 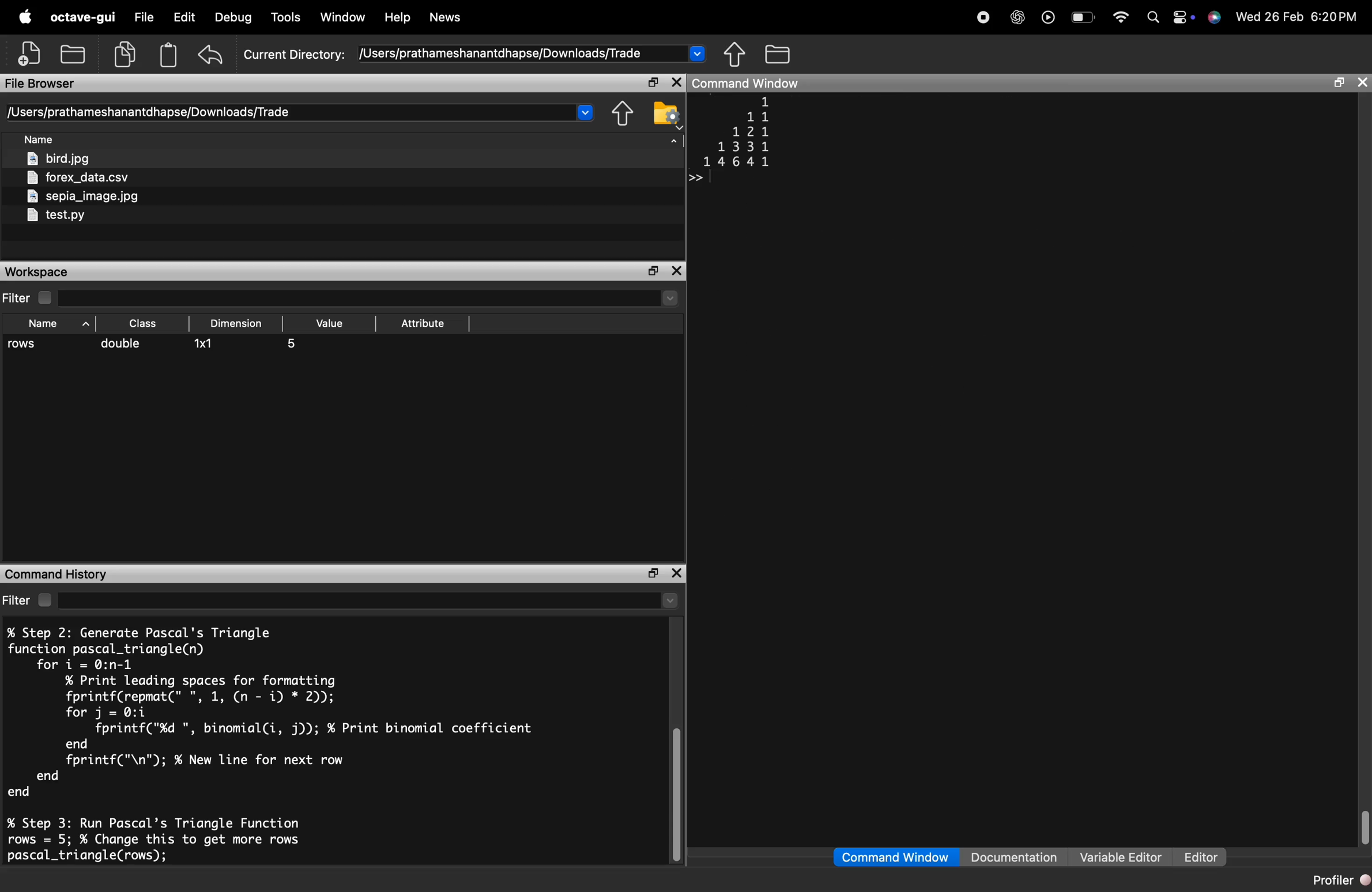 I want to click on close, so click(x=1363, y=84).